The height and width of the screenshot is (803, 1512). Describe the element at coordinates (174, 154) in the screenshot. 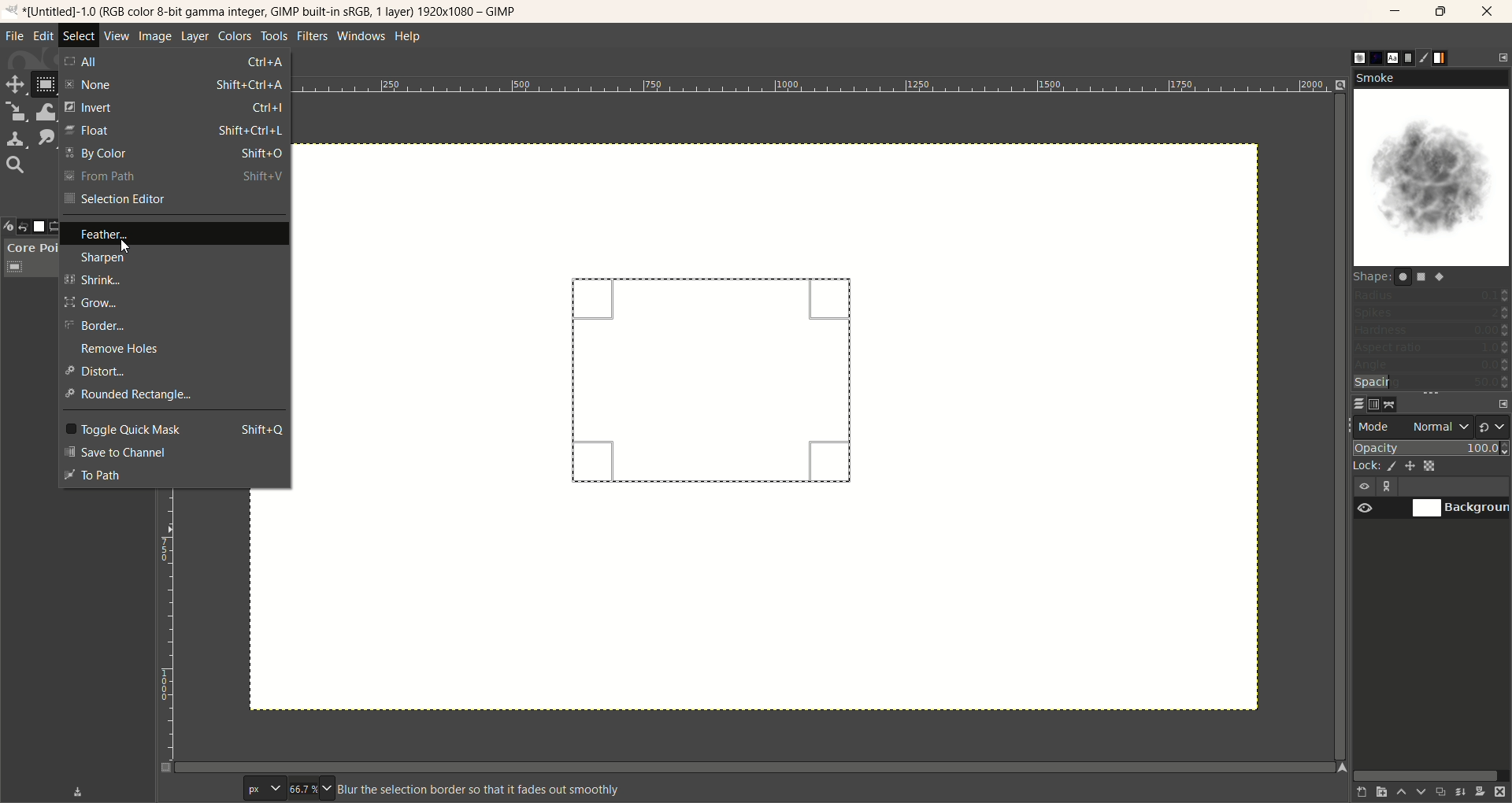

I see `by color` at that location.